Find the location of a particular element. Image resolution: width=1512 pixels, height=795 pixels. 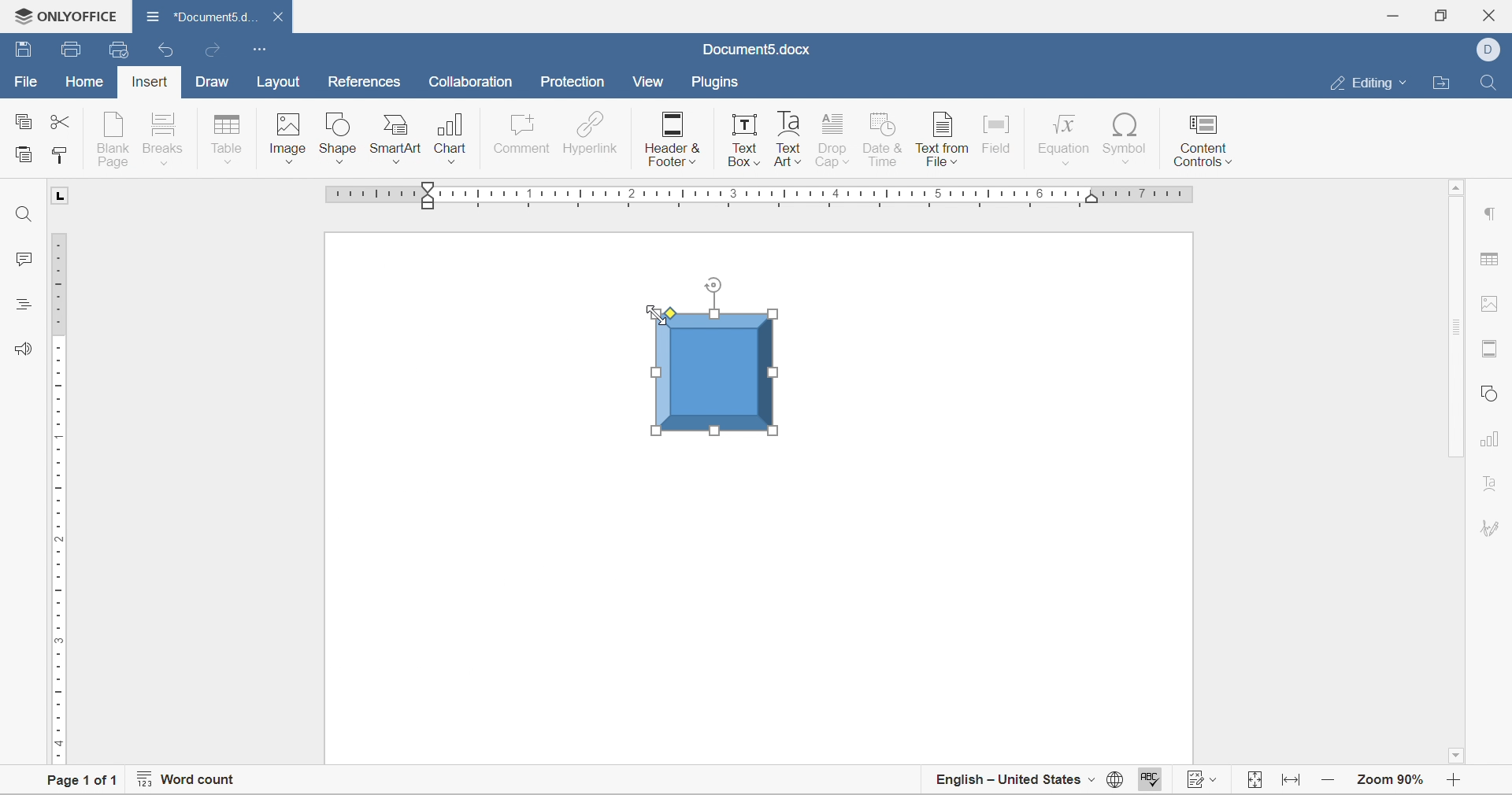

L is located at coordinates (64, 198).